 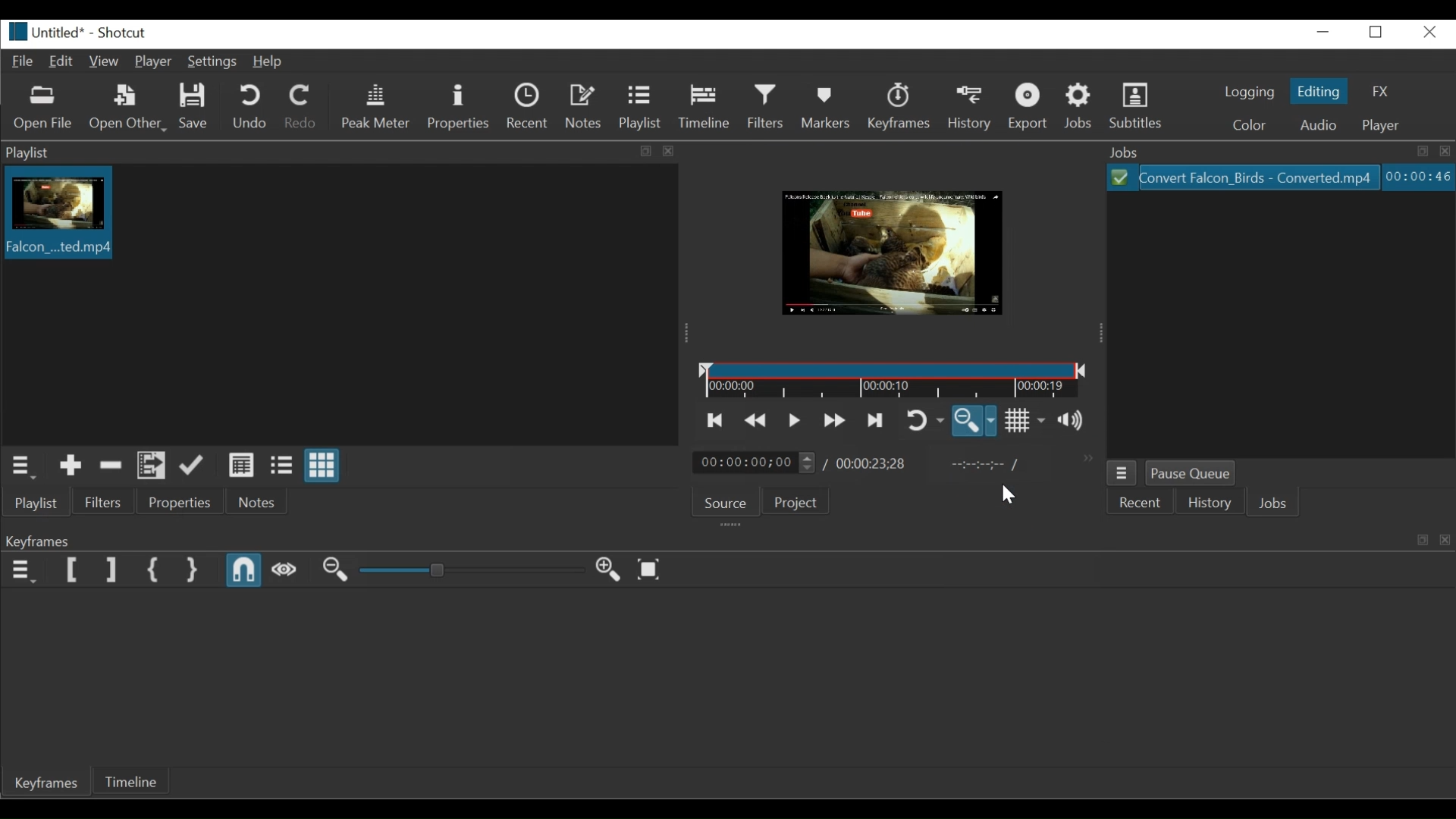 I want to click on Redo, so click(x=299, y=107).